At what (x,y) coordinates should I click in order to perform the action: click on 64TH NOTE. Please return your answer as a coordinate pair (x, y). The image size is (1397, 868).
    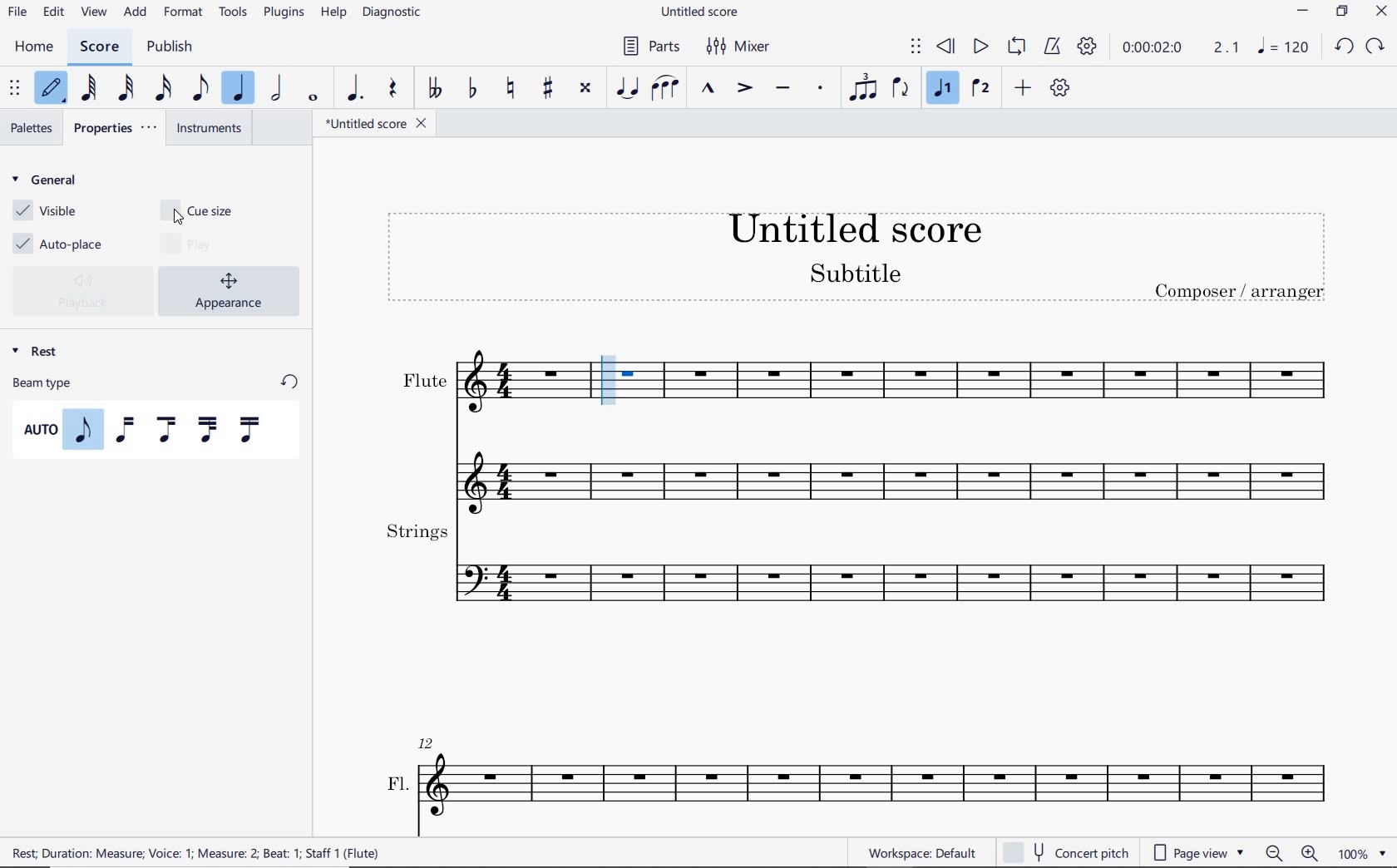
    Looking at the image, I should click on (90, 88).